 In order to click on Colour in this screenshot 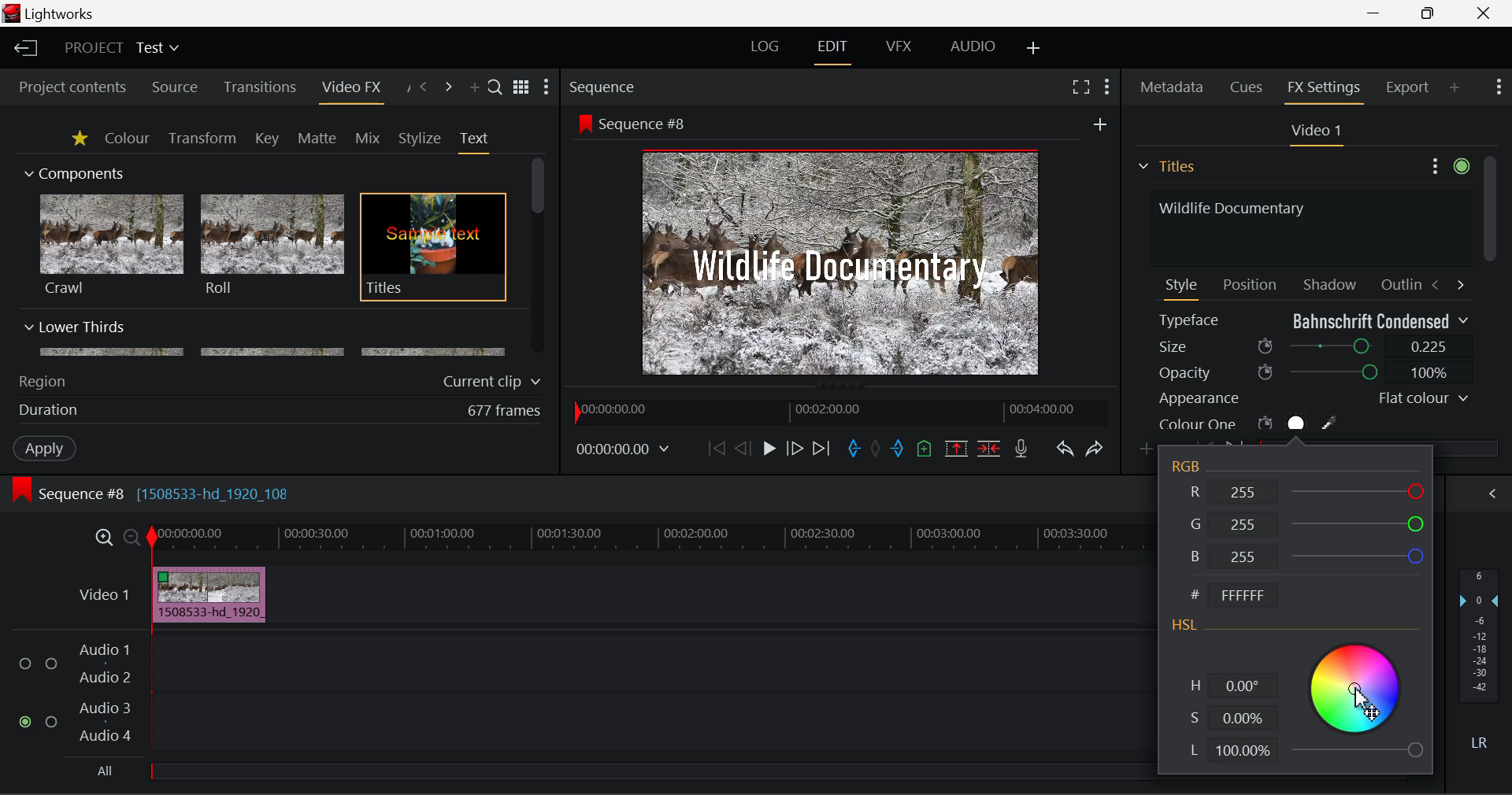, I will do `click(127, 137)`.